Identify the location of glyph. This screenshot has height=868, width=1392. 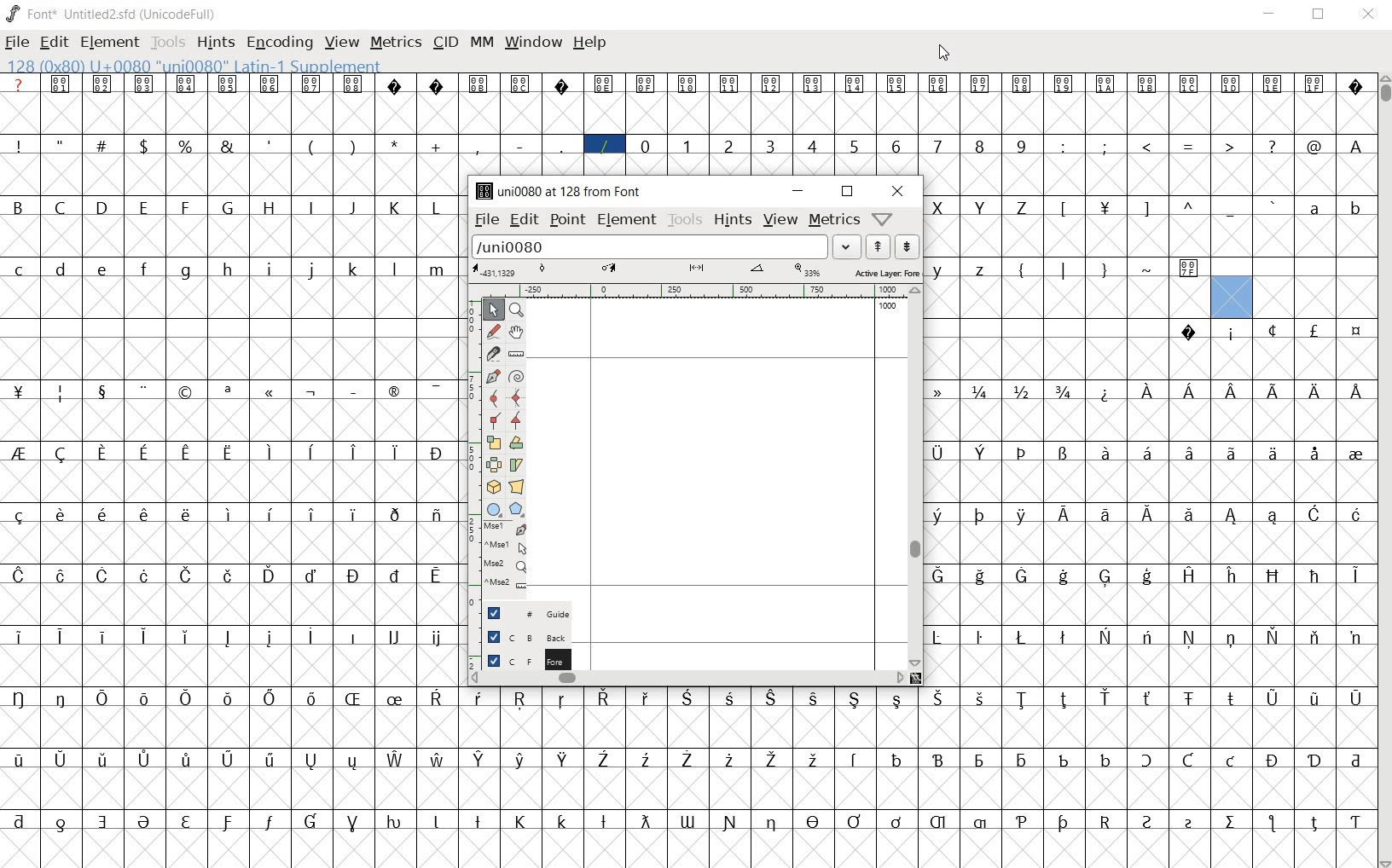
(101, 144).